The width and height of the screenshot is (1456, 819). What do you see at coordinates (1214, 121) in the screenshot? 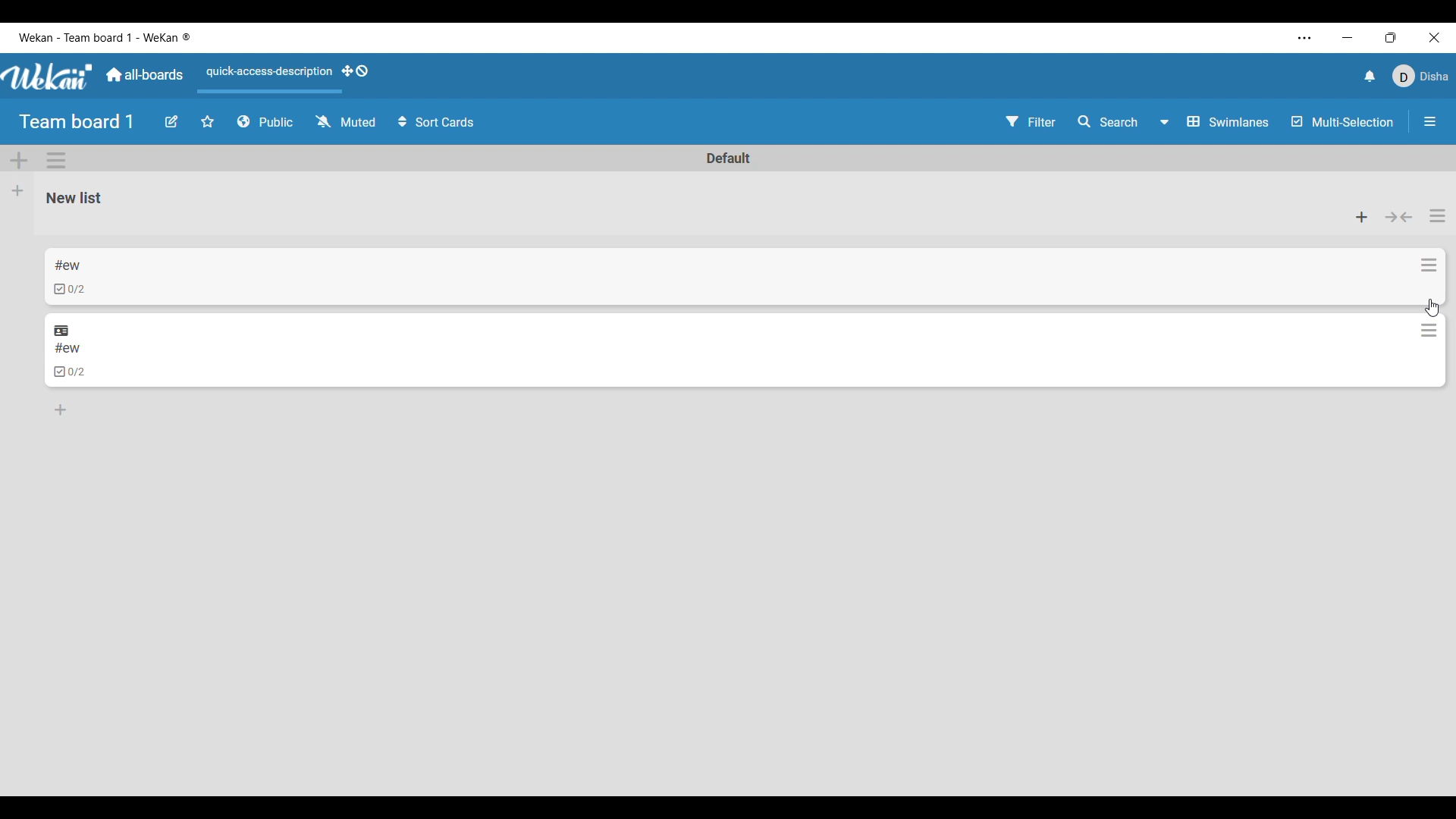
I see `Board view options` at bounding box center [1214, 121].